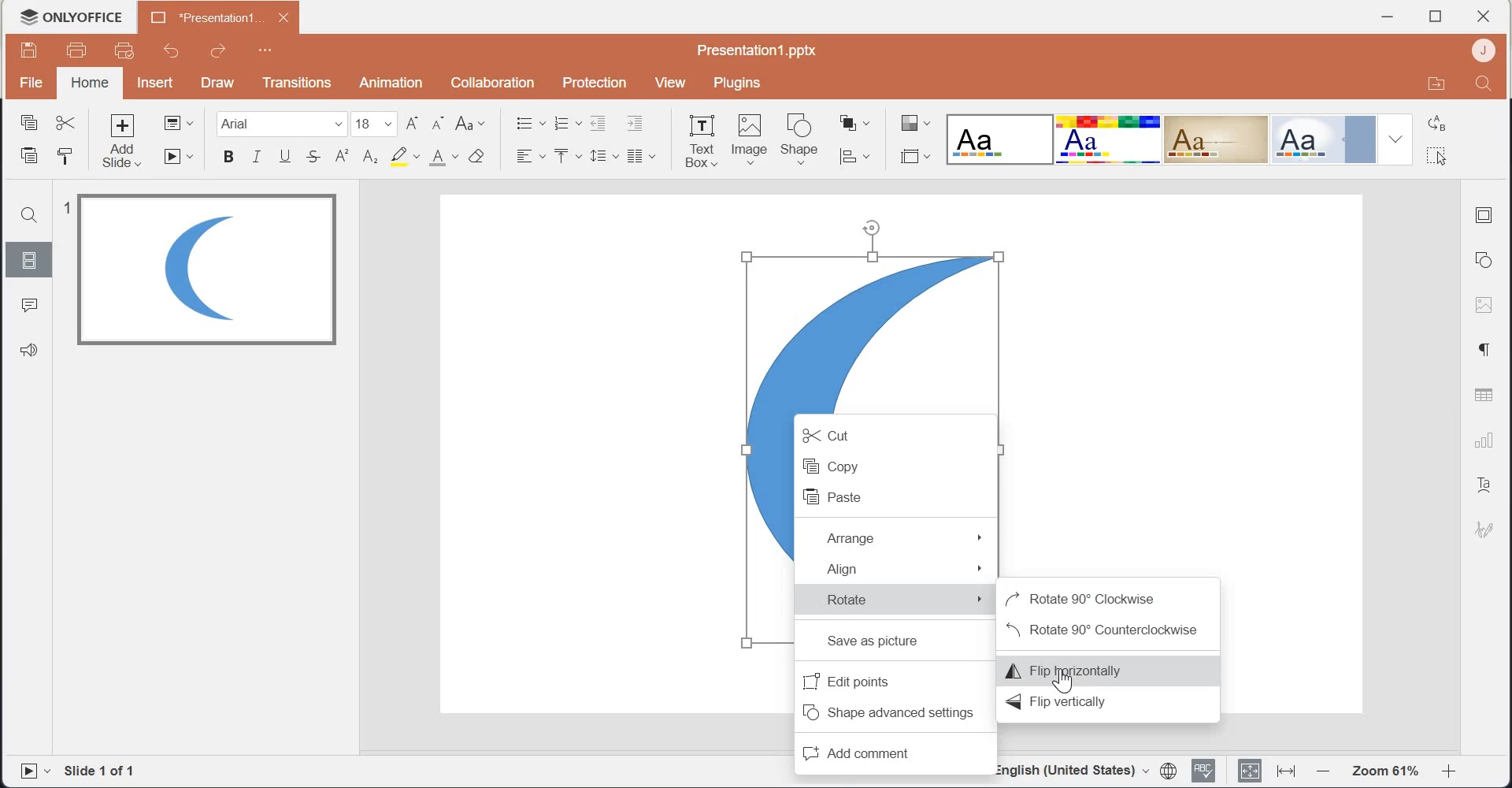  I want to click on cursor, so click(1440, 157).